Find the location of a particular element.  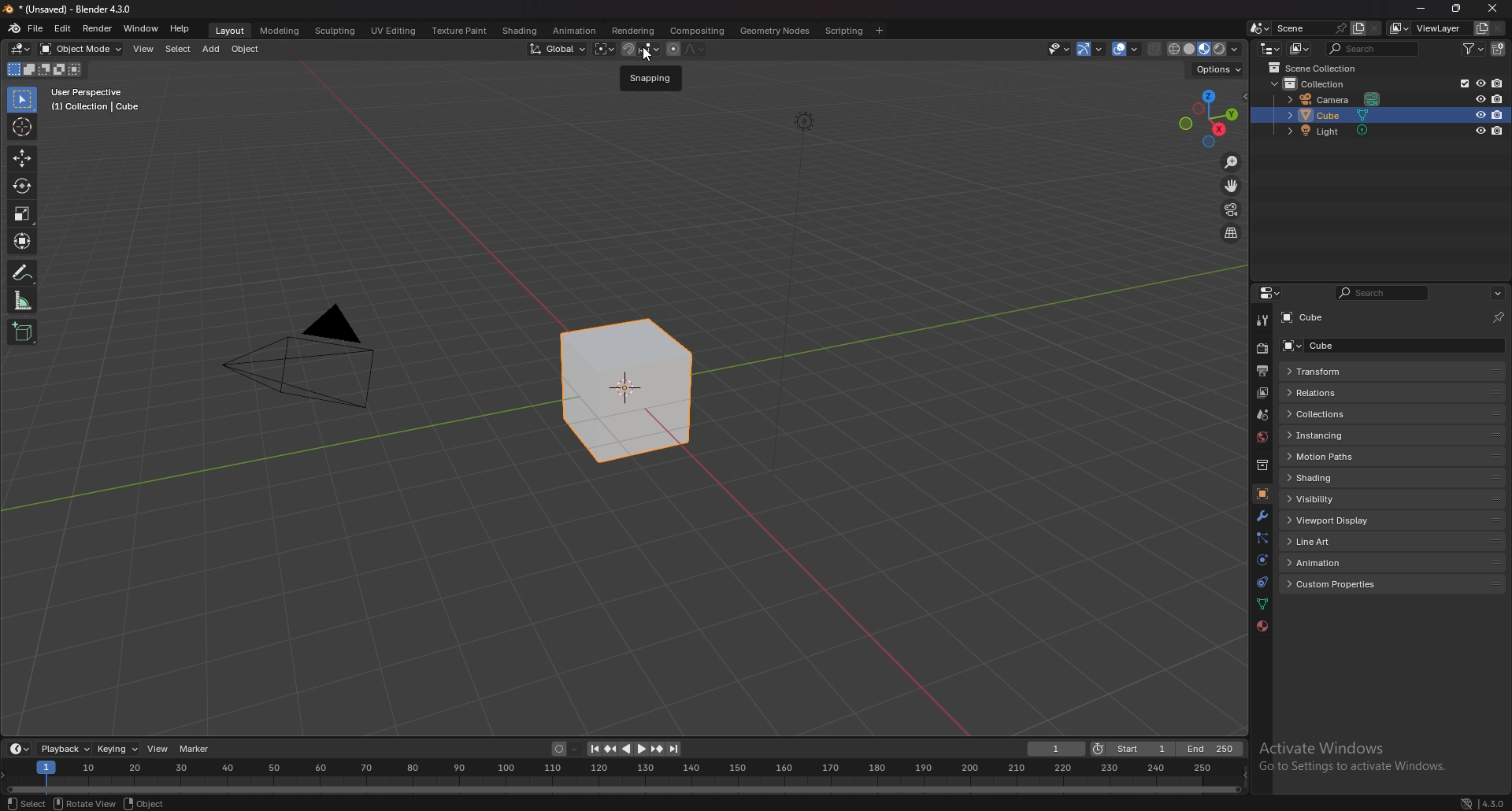

texture paint is located at coordinates (459, 30).